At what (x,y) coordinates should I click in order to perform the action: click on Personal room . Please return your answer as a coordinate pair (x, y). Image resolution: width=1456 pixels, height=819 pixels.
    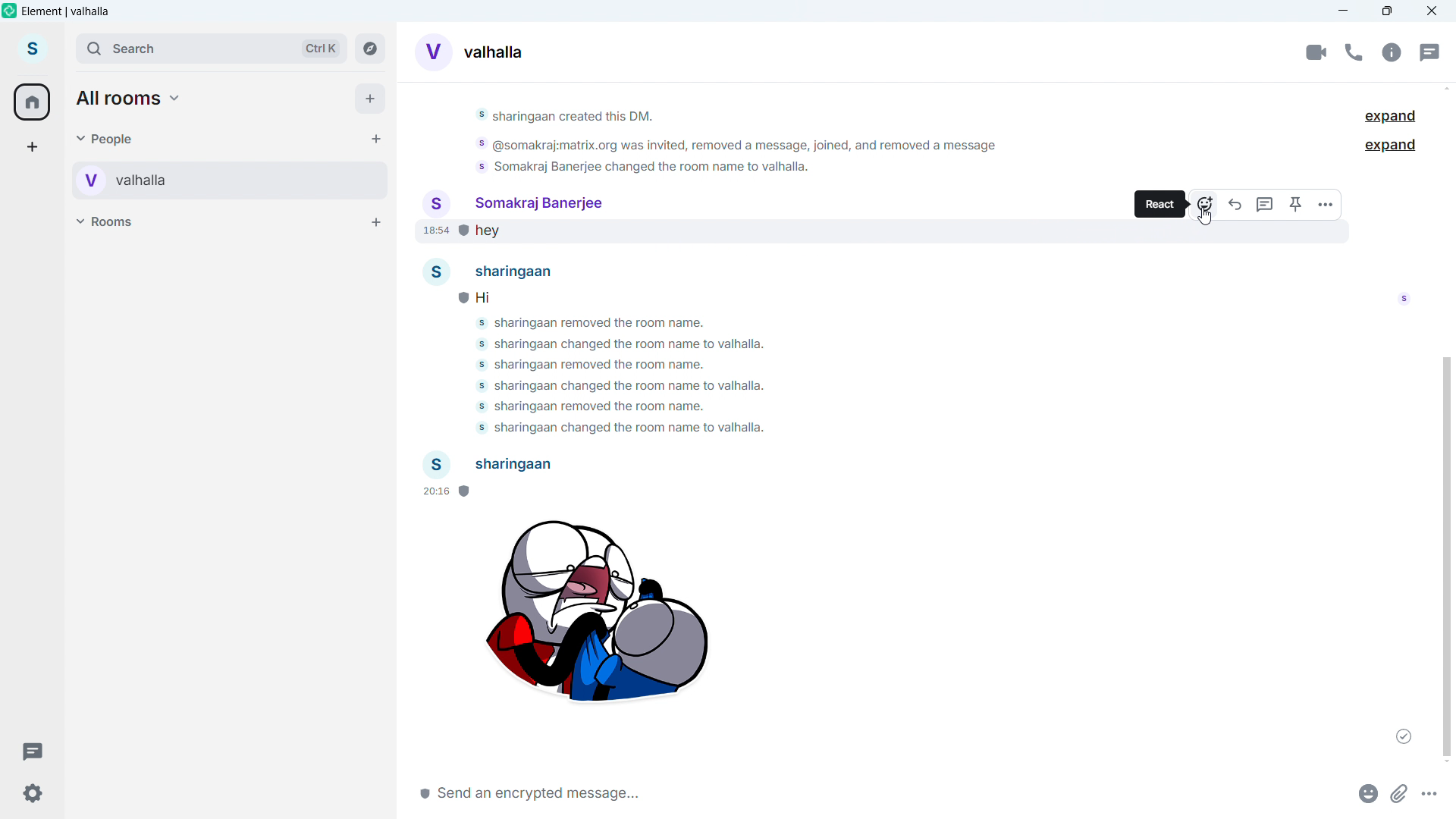
    Looking at the image, I should click on (181, 180).